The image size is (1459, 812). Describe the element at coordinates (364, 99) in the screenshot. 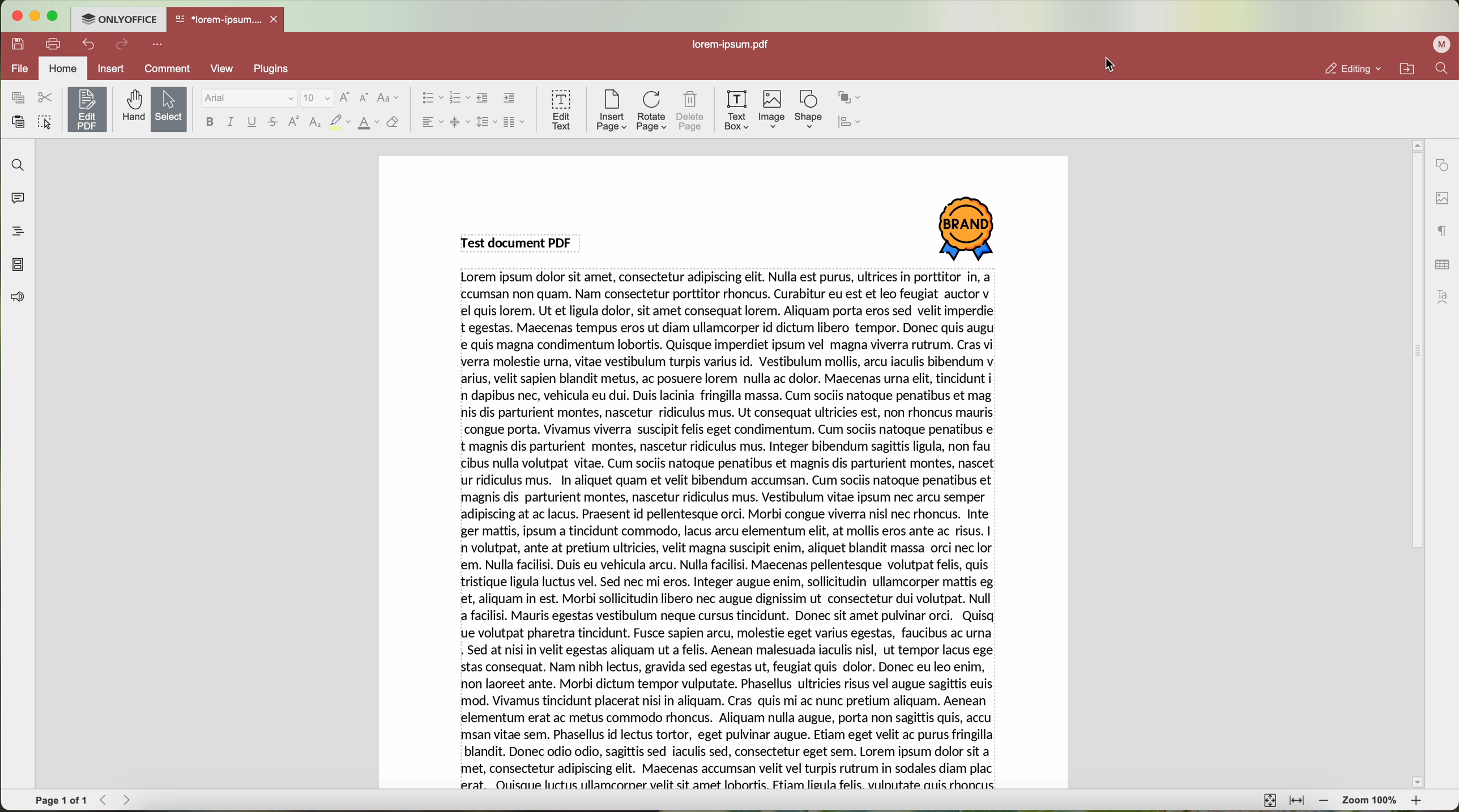

I see `decrement font size` at that location.